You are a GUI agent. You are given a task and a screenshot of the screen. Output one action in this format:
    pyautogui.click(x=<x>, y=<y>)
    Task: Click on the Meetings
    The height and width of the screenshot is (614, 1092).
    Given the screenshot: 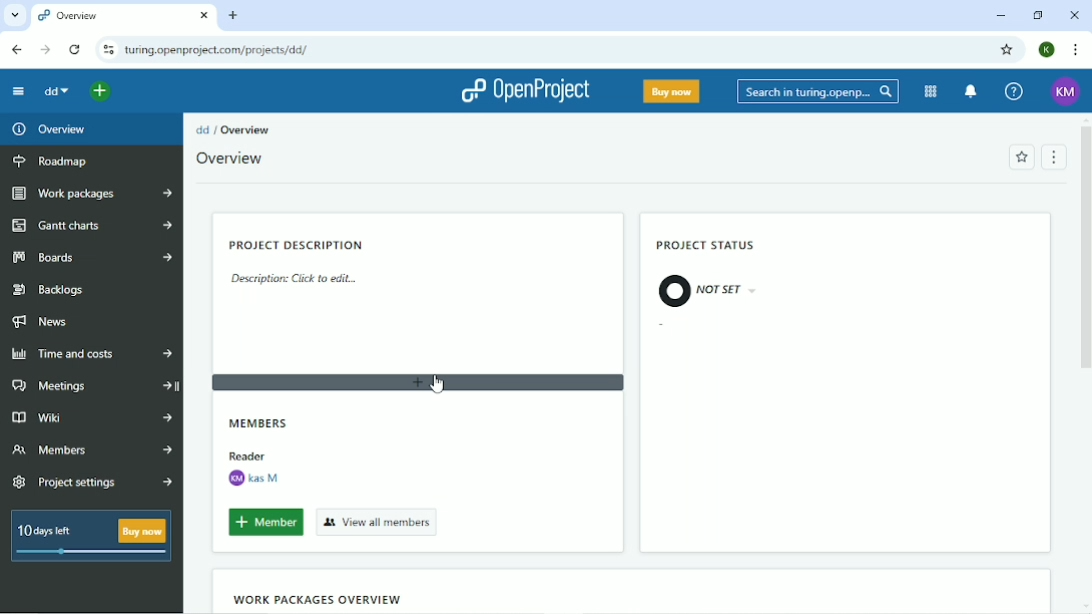 What is the action you would take?
    pyautogui.click(x=93, y=387)
    